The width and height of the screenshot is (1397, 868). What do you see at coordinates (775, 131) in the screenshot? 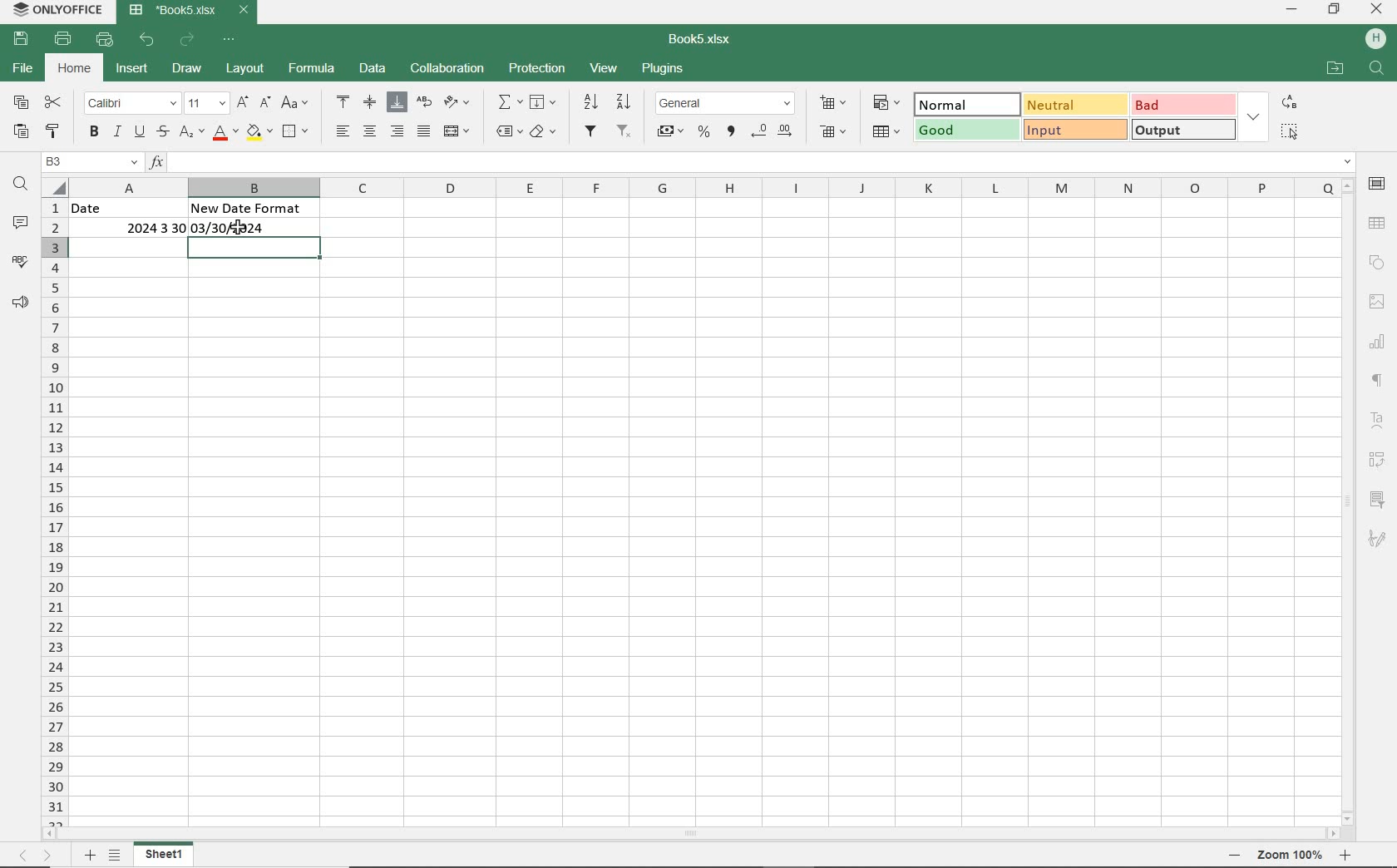
I see `CHANGE DECIMAL` at bounding box center [775, 131].